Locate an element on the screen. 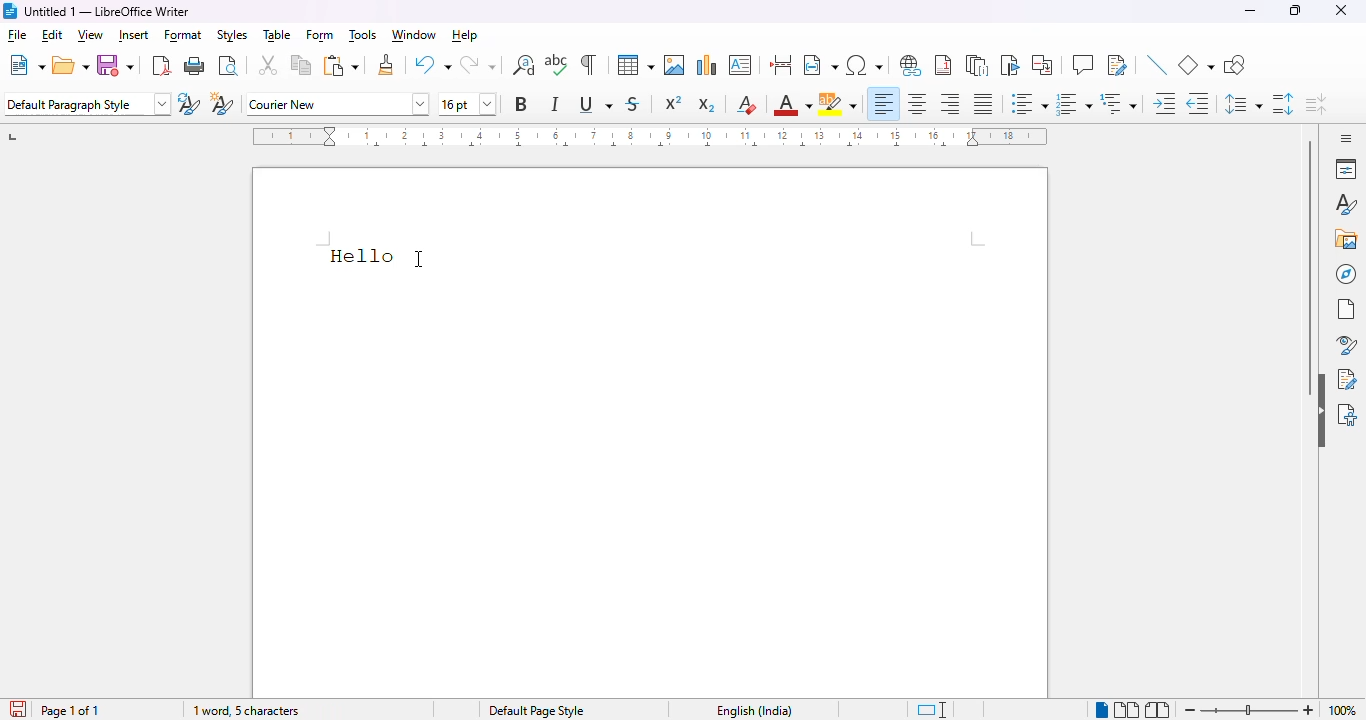  open is located at coordinates (71, 65).